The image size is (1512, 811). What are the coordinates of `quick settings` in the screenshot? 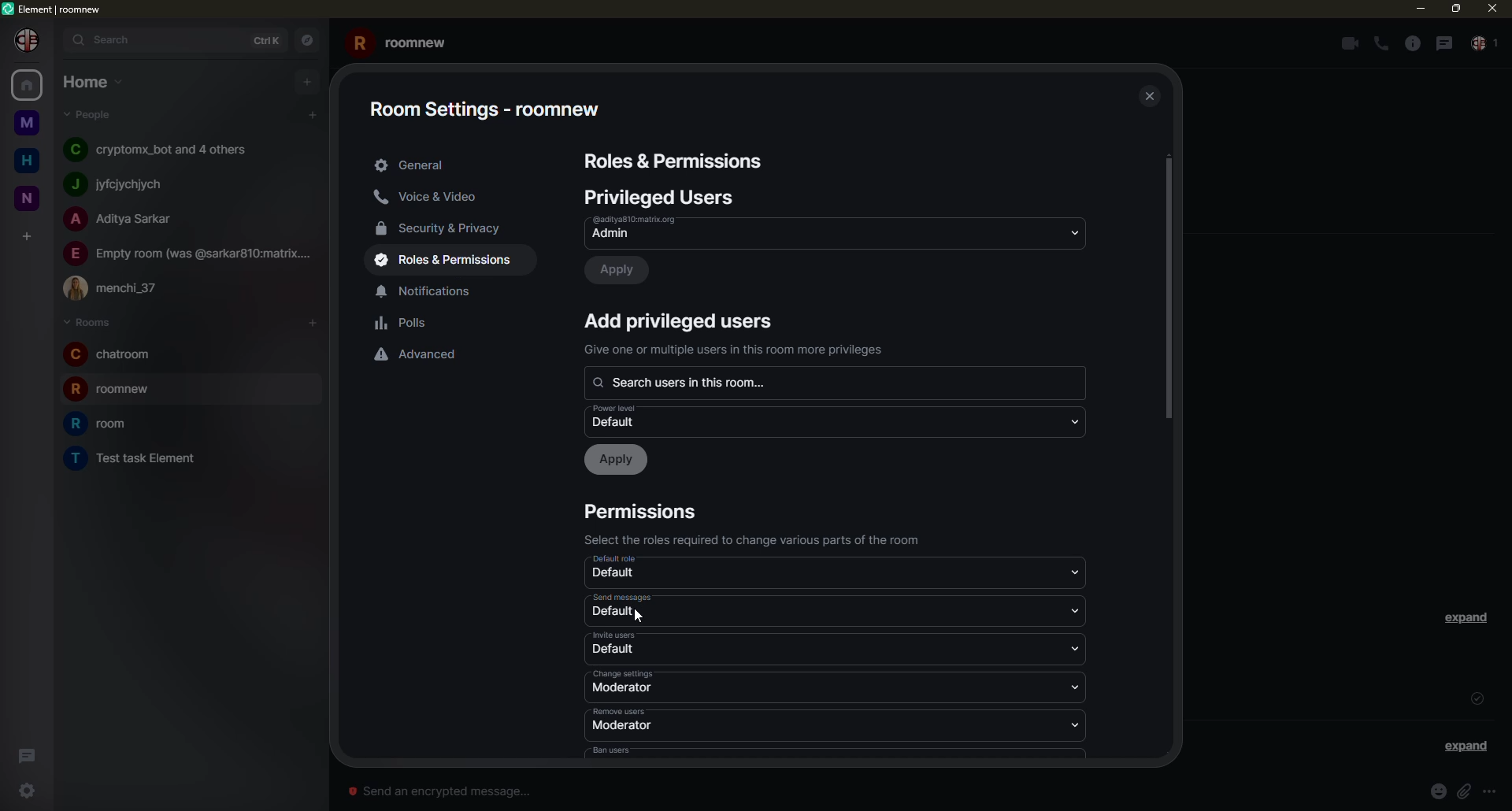 It's located at (23, 791).